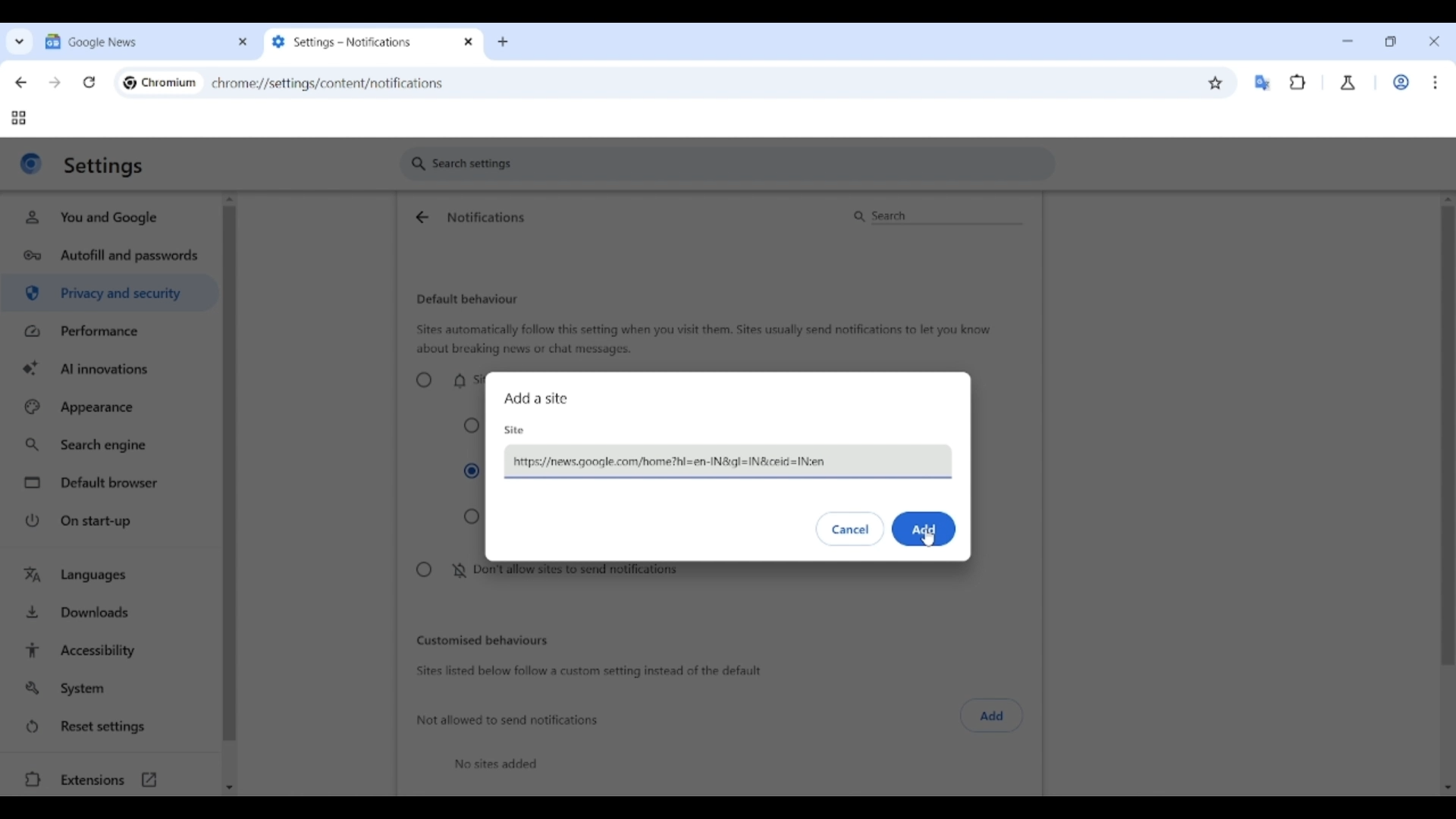 This screenshot has height=819, width=1456. Describe the element at coordinates (587, 672) in the screenshot. I see `Sites listed below follow a custom setting instead of the default` at that location.